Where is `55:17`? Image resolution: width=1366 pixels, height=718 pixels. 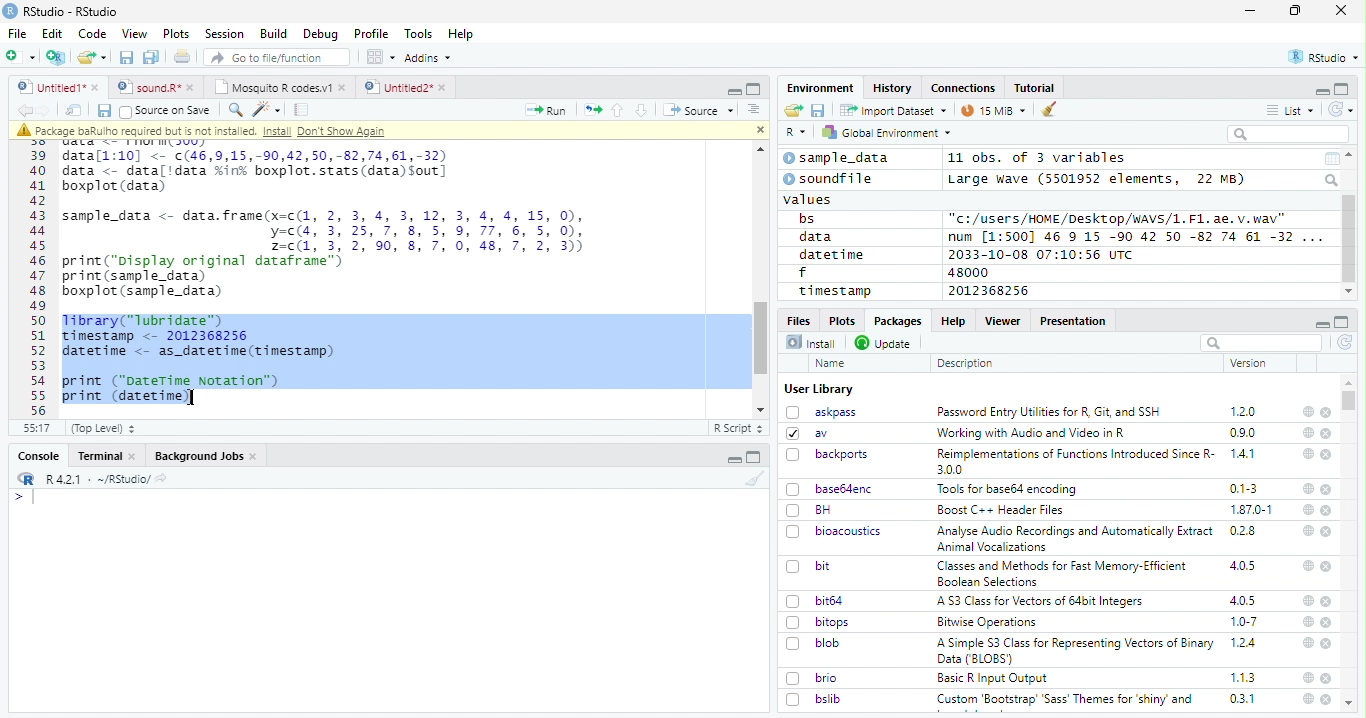
55:17 is located at coordinates (38, 428).